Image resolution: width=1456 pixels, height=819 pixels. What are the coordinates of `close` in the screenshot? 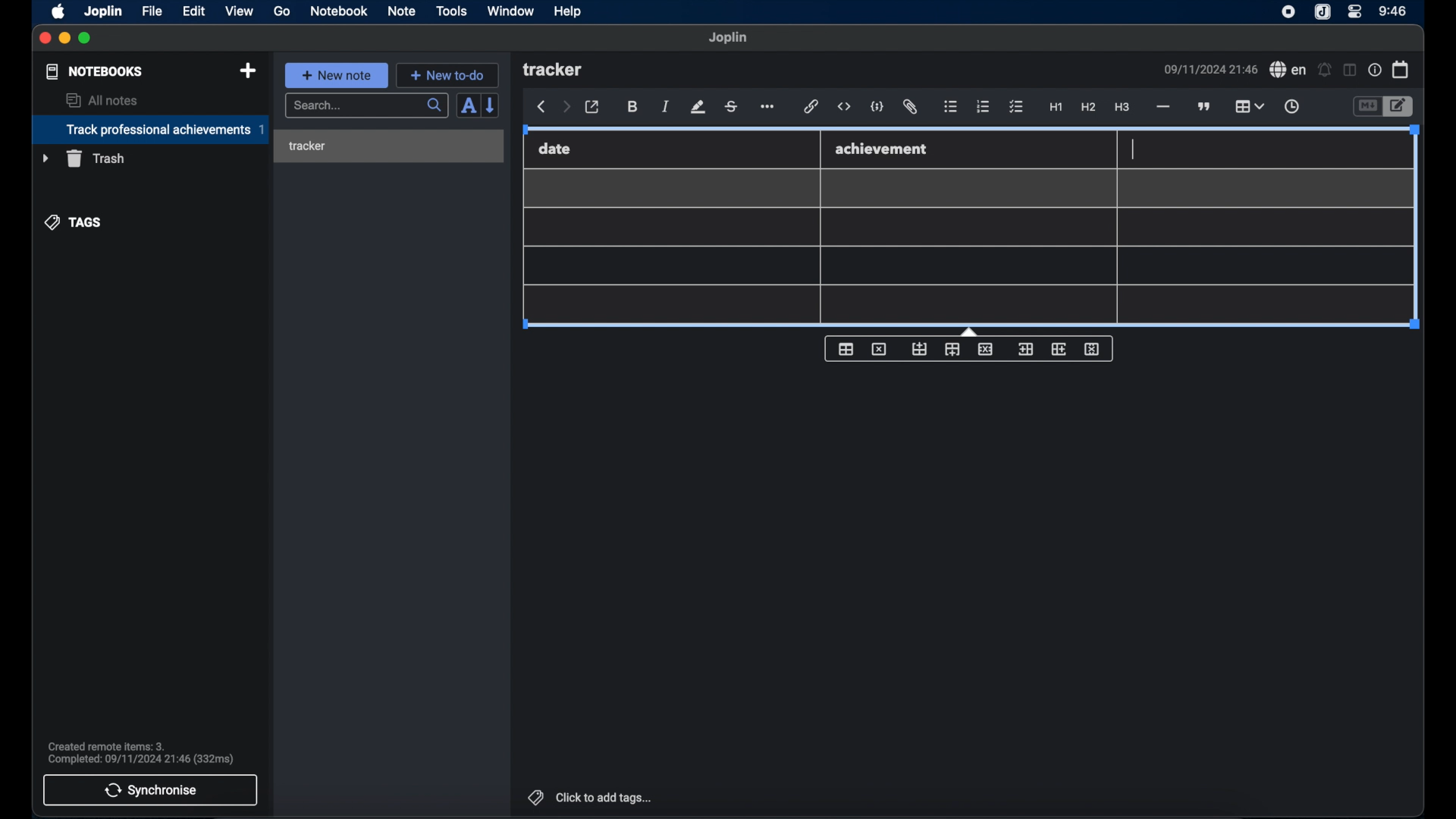 It's located at (45, 38).